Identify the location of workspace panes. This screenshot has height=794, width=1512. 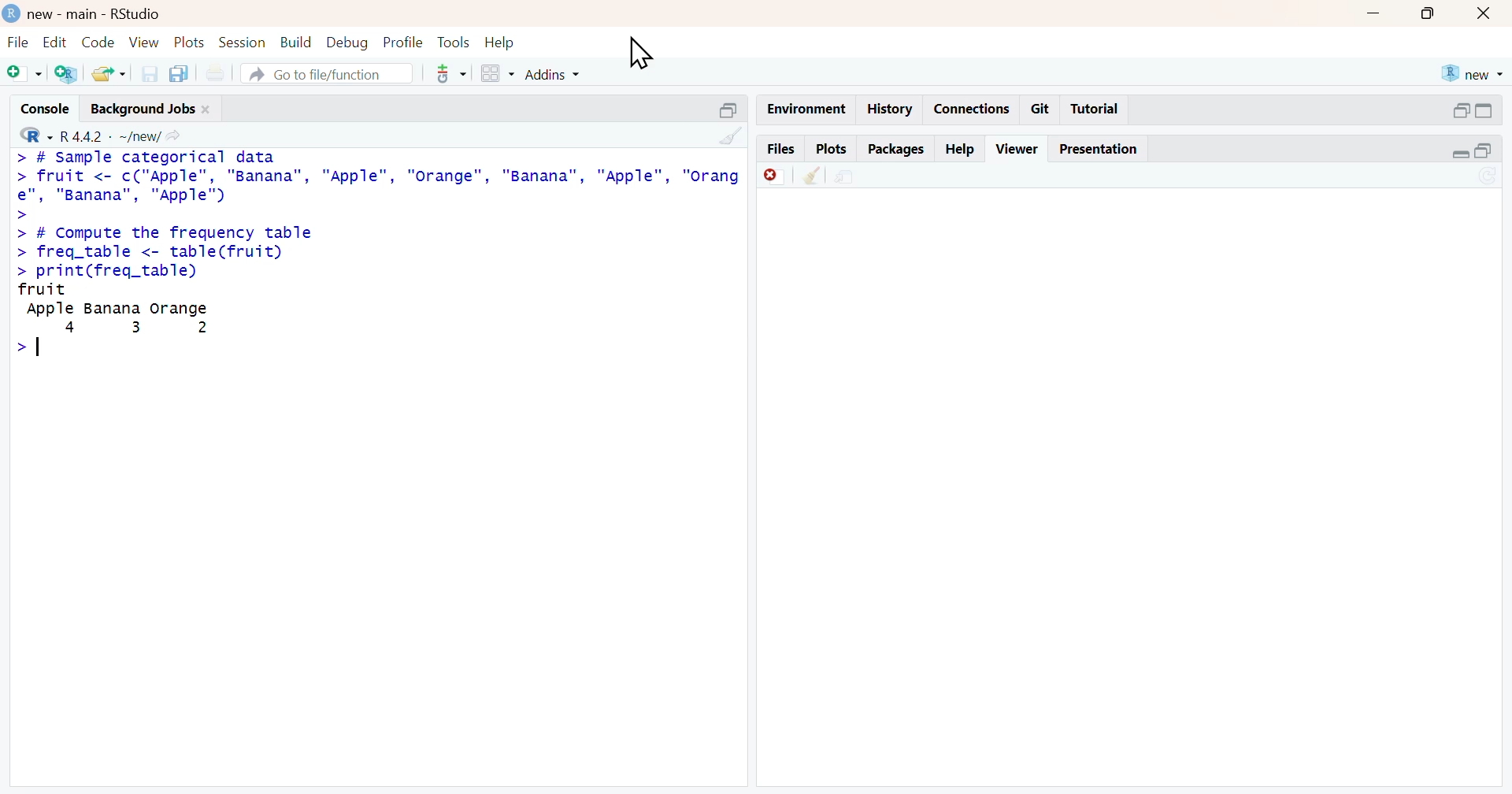
(498, 74).